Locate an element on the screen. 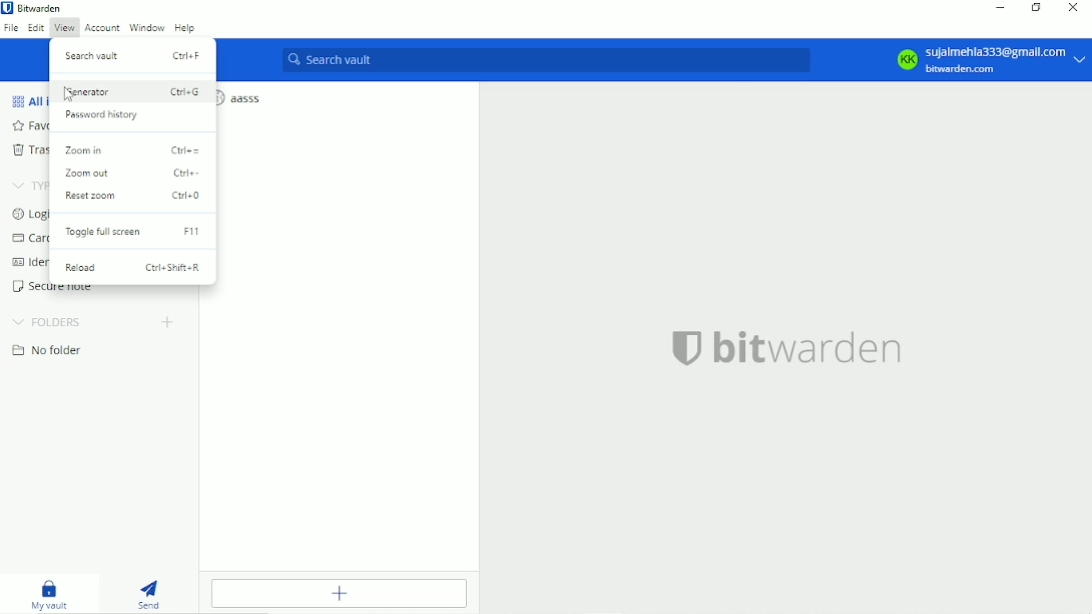 The height and width of the screenshot is (614, 1092). Password history is located at coordinates (102, 115).